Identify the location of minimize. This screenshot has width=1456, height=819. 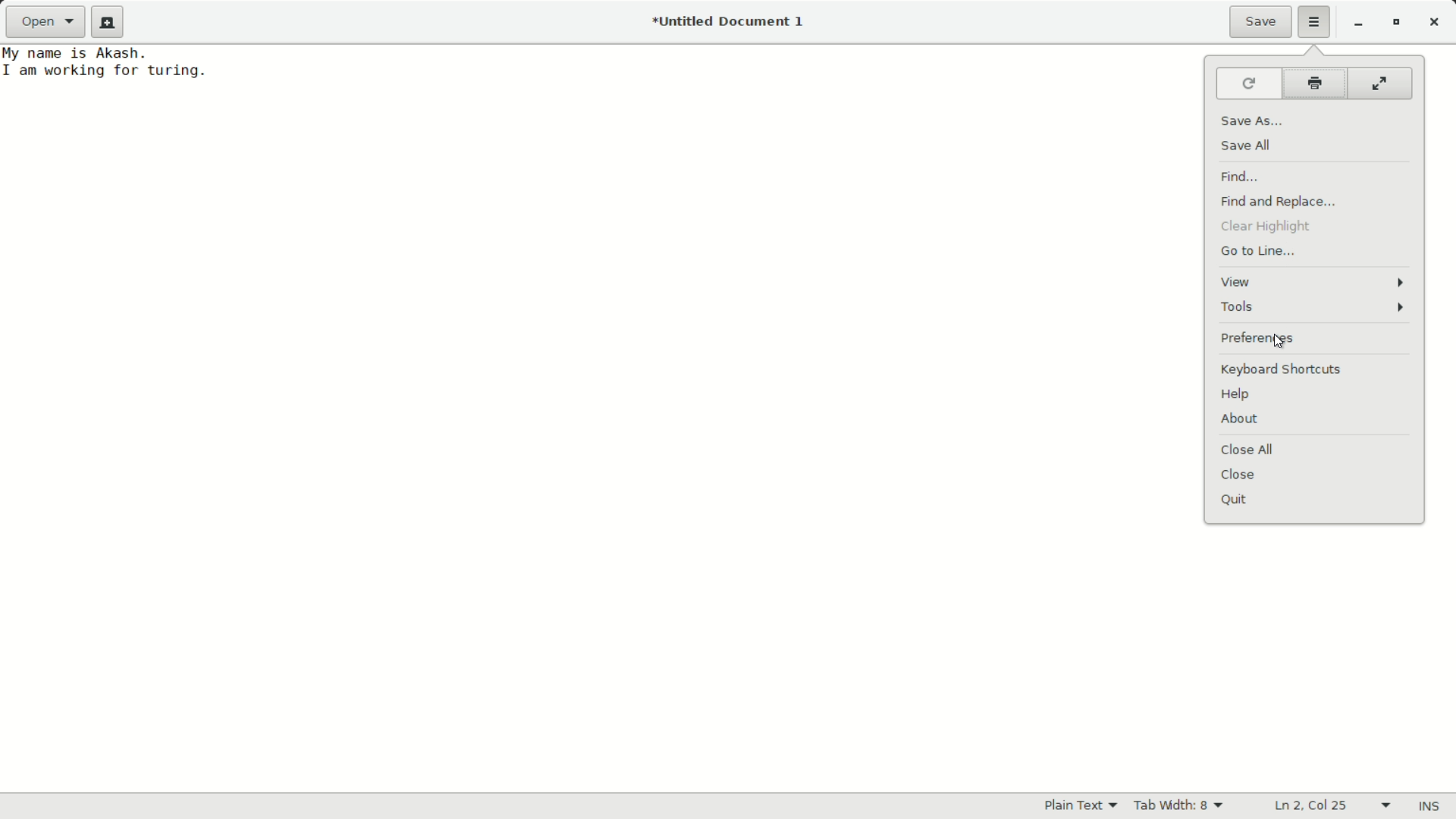
(1358, 24).